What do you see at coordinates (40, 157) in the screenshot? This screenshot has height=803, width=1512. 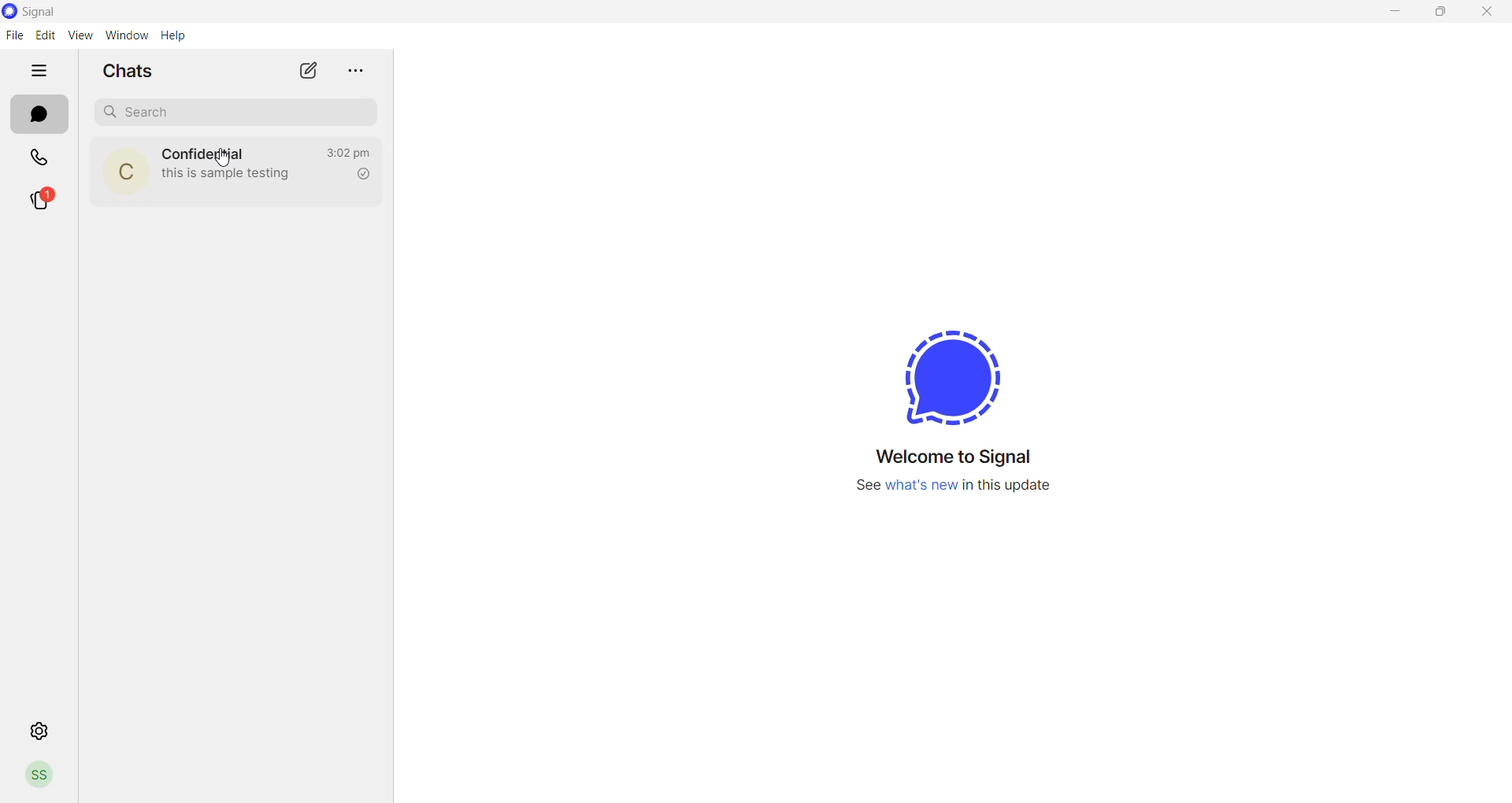 I see `calls` at bounding box center [40, 157].